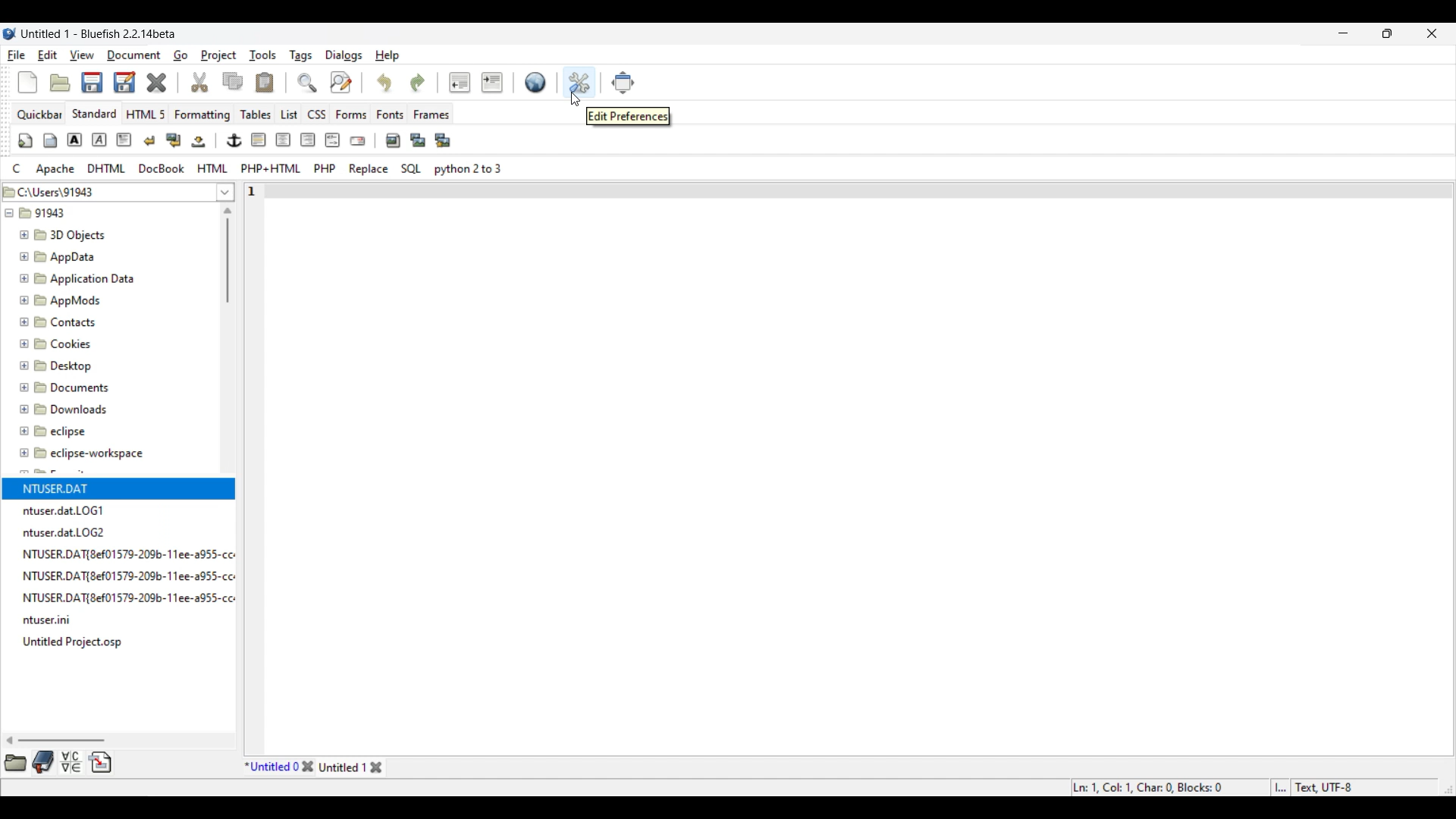 This screenshot has width=1456, height=819. Describe the element at coordinates (39, 115) in the screenshot. I see `Quickbar` at that location.